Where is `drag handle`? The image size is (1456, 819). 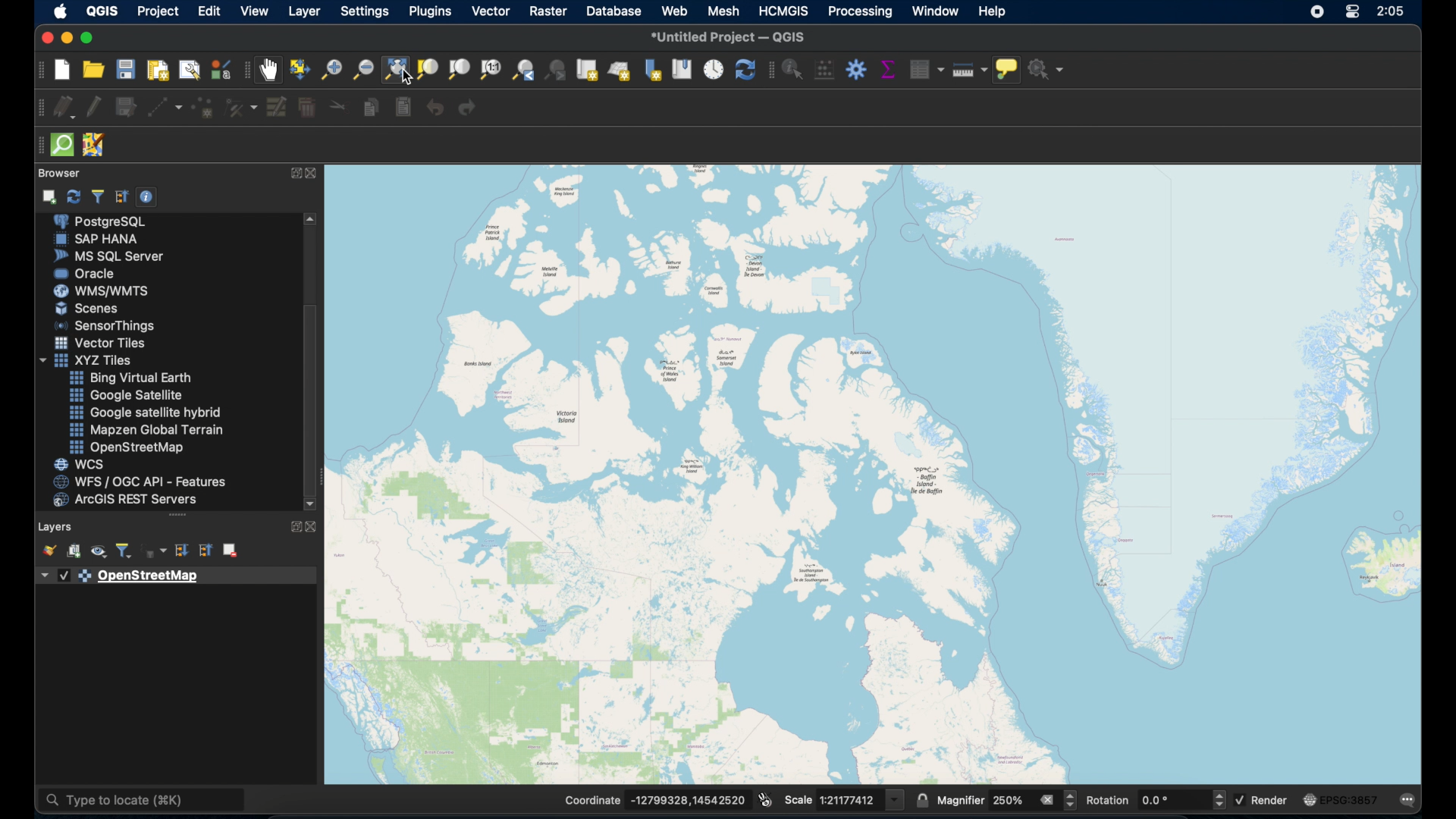
drag handle is located at coordinates (38, 146).